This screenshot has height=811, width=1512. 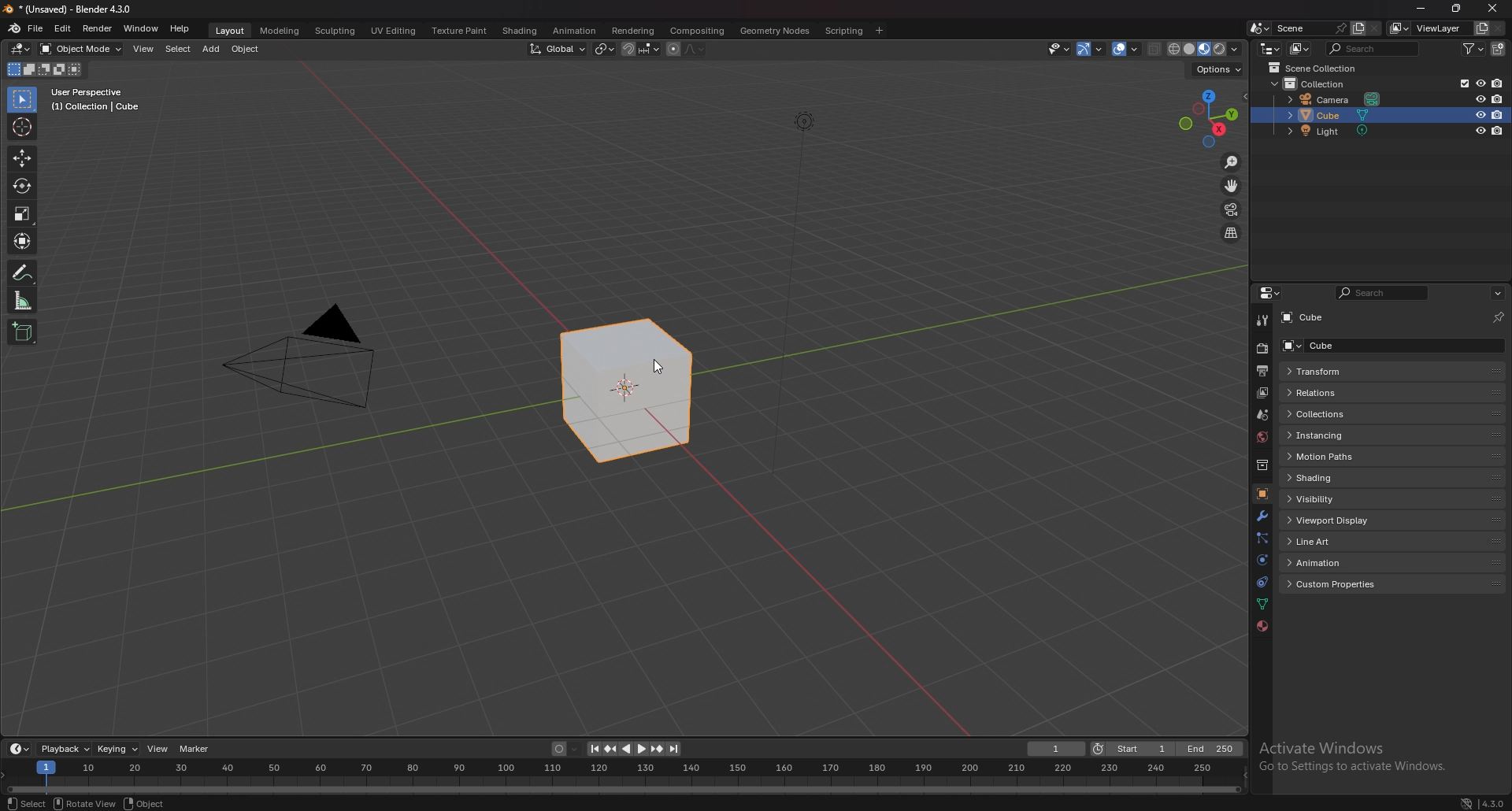 What do you see at coordinates (21, 239) in the screenshot?
I see `transform` at bounding box center [21, 239].